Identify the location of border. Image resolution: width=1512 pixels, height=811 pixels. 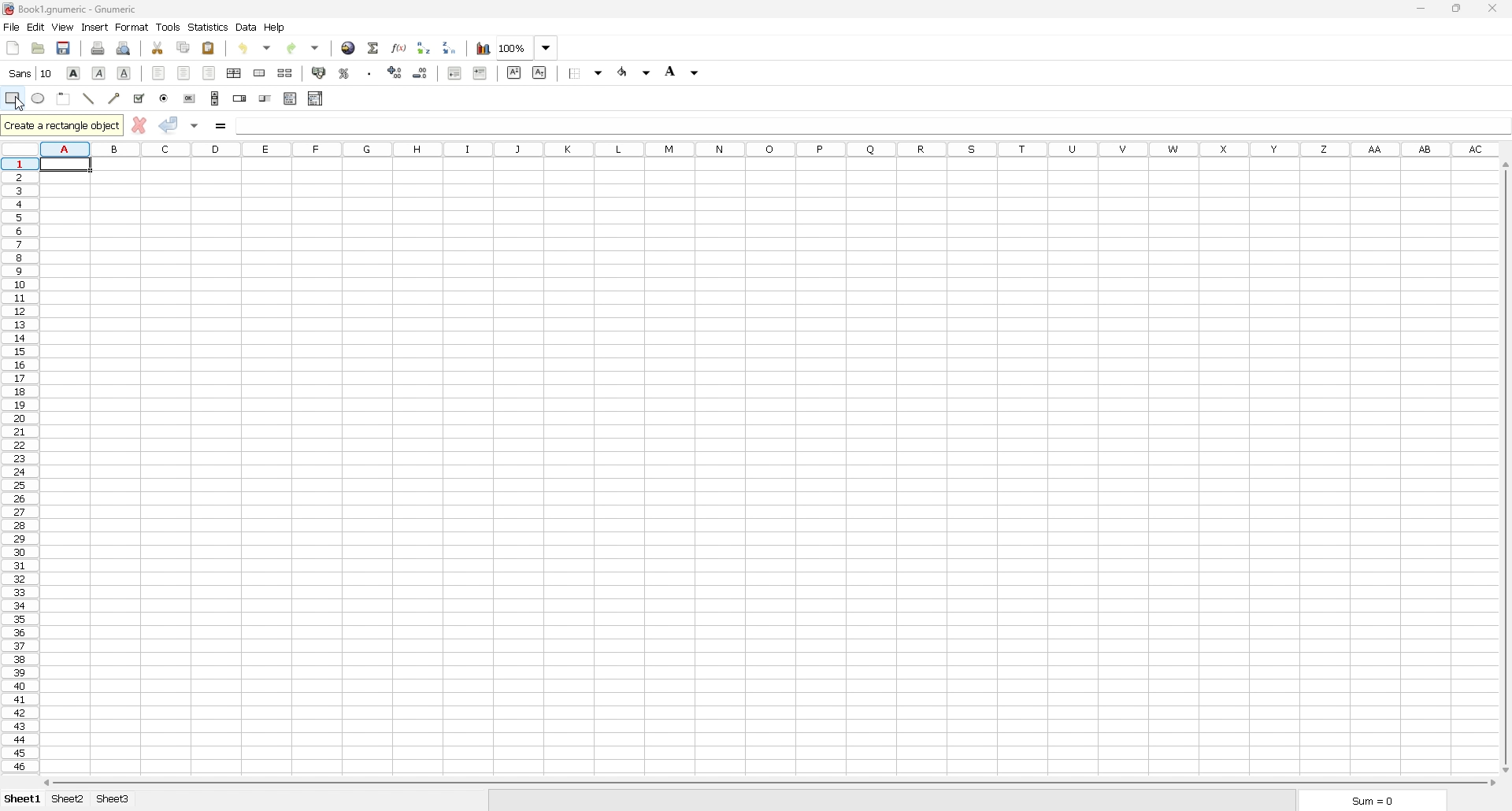
(587, 74).